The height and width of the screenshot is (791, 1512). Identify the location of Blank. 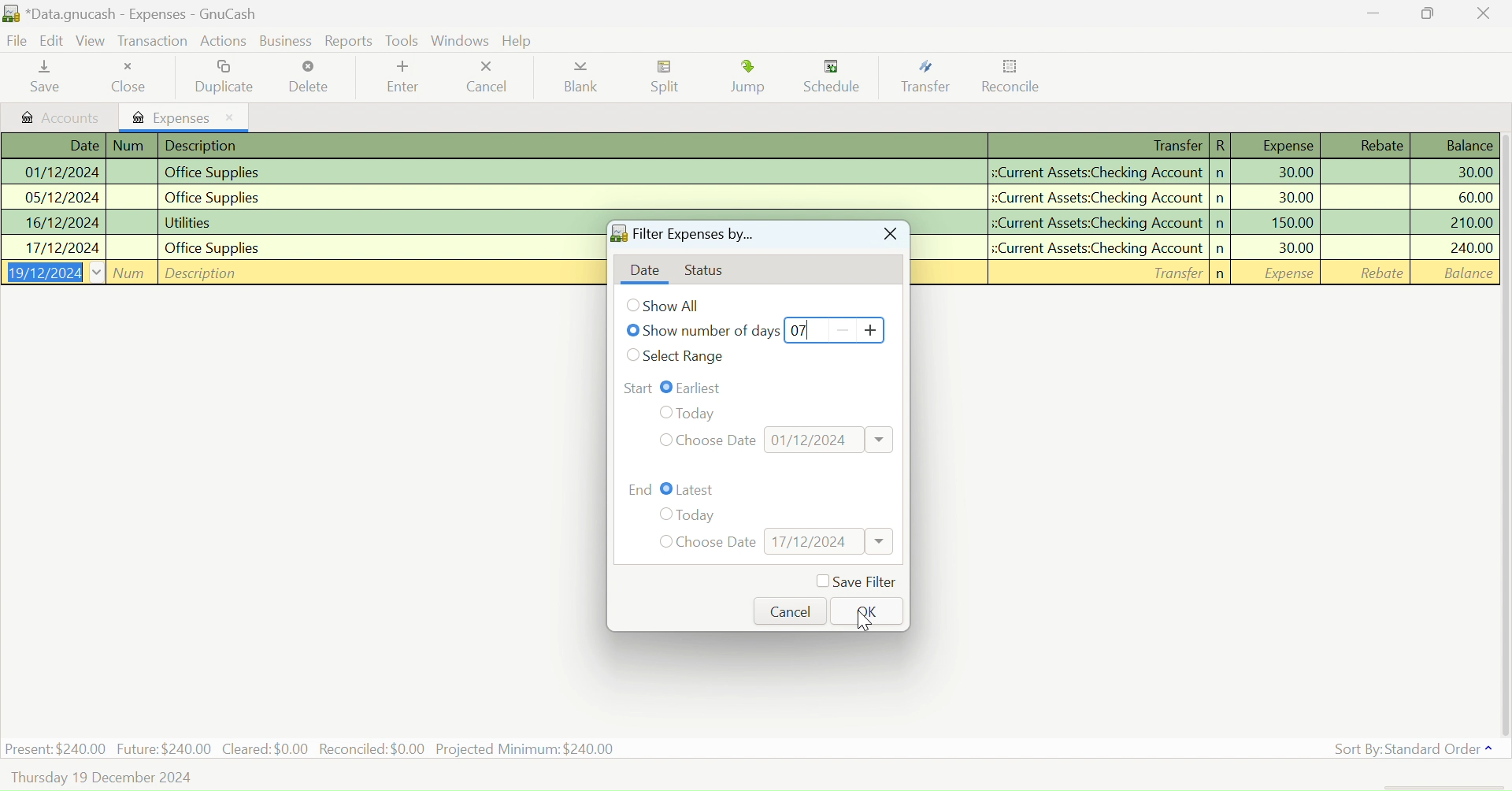
(581, 80).